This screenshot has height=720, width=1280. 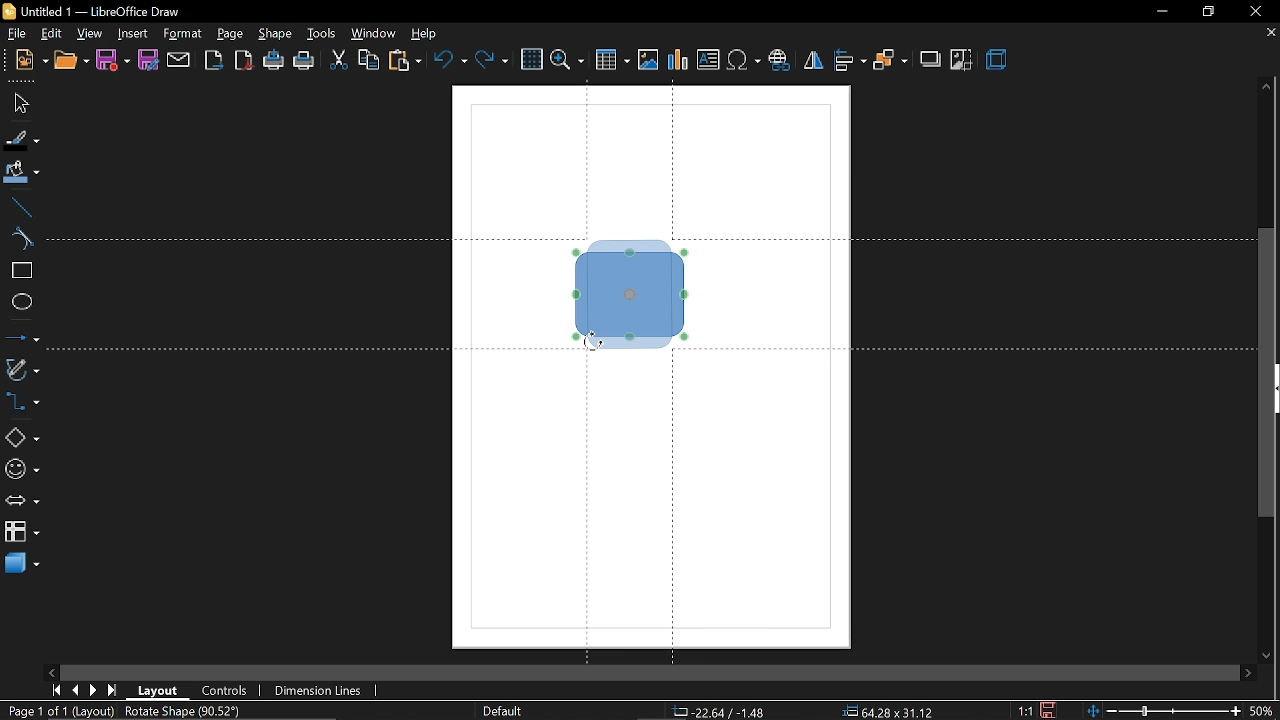 What do you see at coordinates (21, 272) in the screenshot?
I see `rectangle` at bounding box center [21, 272].